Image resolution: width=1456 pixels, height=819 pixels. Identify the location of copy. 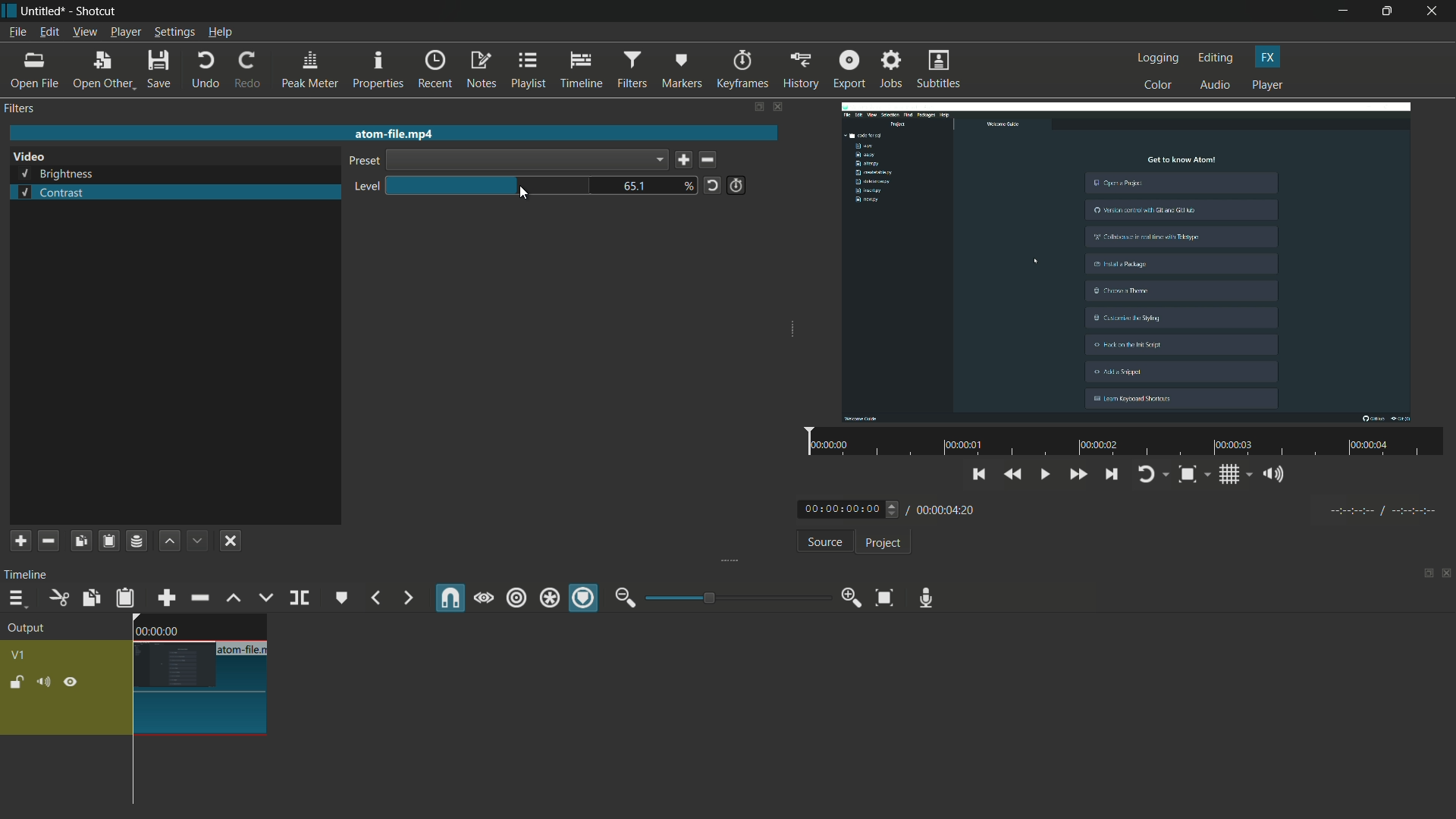
(89, 598).